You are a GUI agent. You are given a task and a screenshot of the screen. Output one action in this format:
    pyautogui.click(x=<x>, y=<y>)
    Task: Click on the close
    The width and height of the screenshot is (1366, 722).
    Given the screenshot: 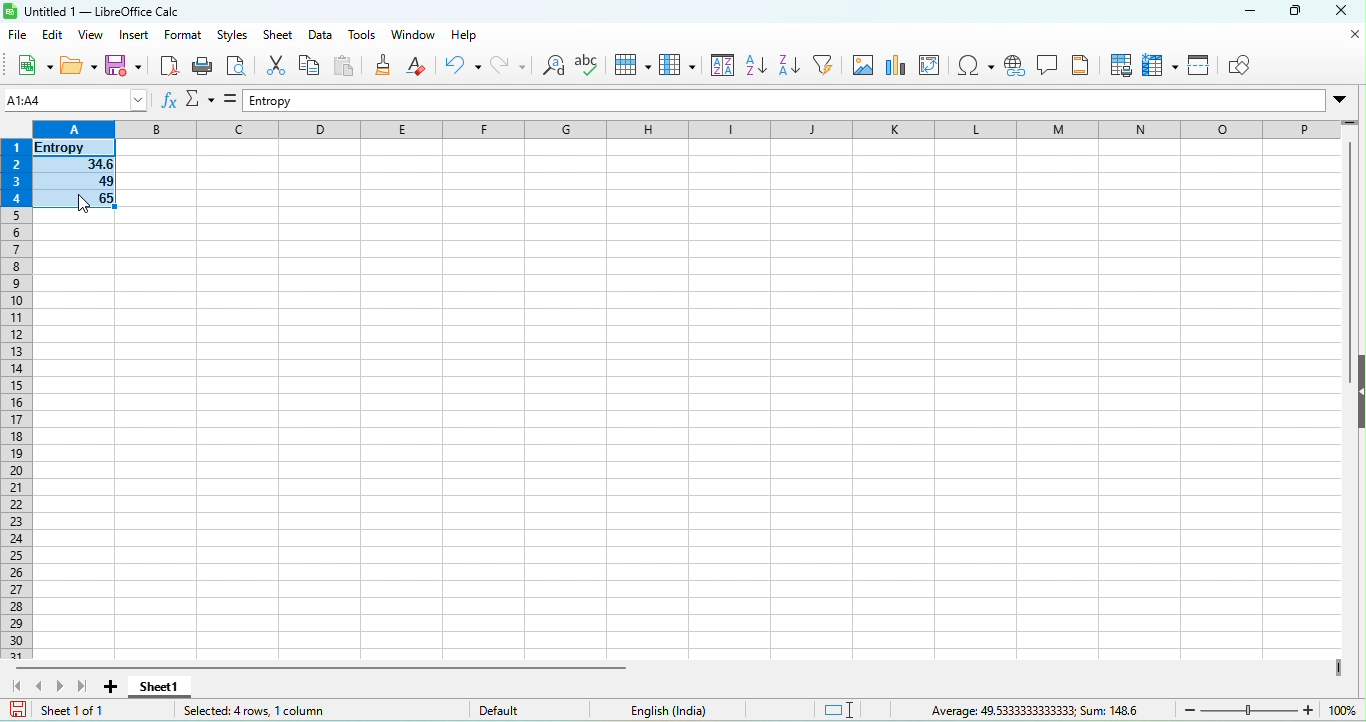 What is the action you would take?
    pyautogui.click(x=1352, y=36)
    